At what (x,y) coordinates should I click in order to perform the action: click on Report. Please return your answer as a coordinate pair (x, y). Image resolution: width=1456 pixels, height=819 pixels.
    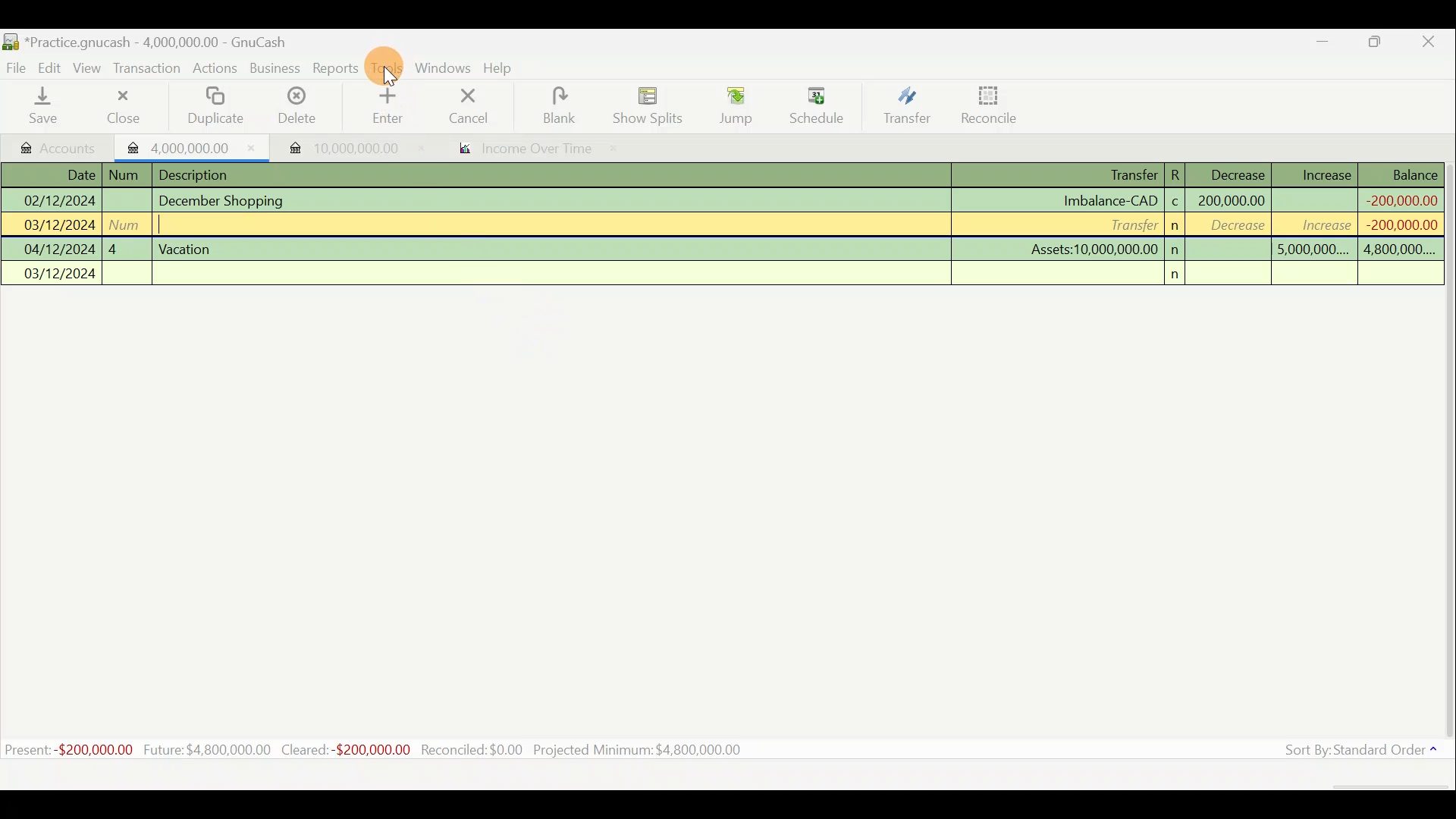
    Looking at the image, I should click on (521, 146).